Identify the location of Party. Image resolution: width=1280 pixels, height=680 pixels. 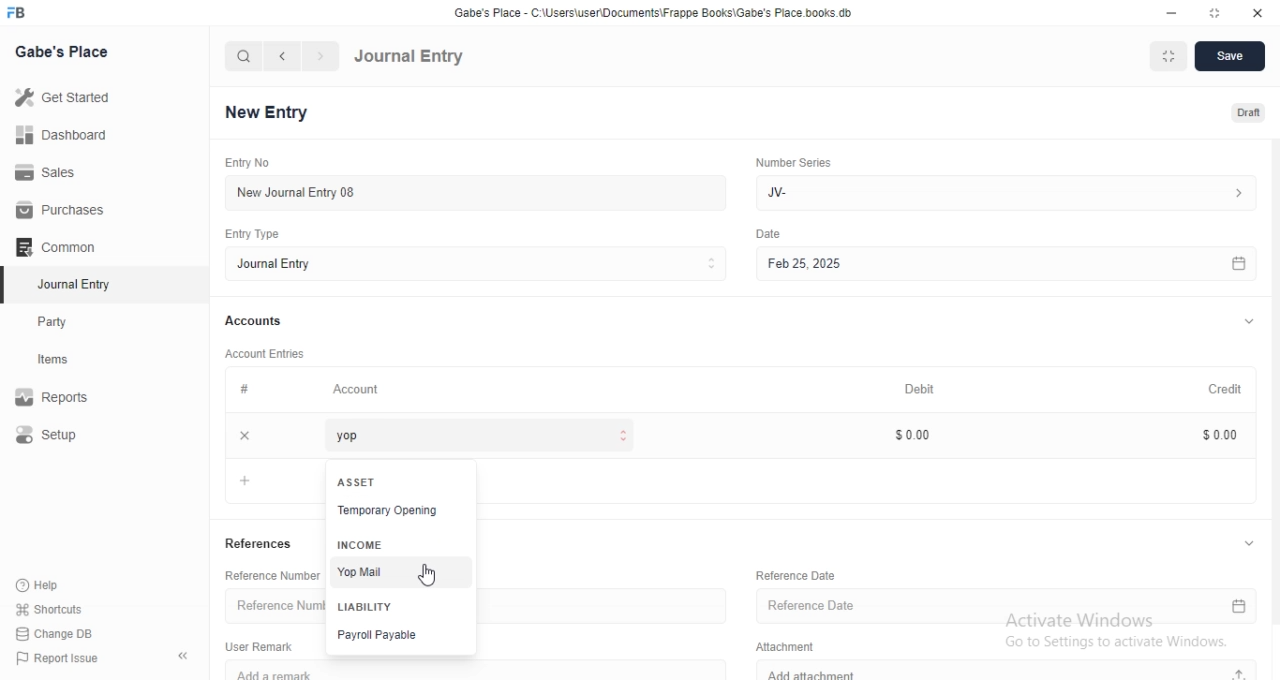
(72, 322).